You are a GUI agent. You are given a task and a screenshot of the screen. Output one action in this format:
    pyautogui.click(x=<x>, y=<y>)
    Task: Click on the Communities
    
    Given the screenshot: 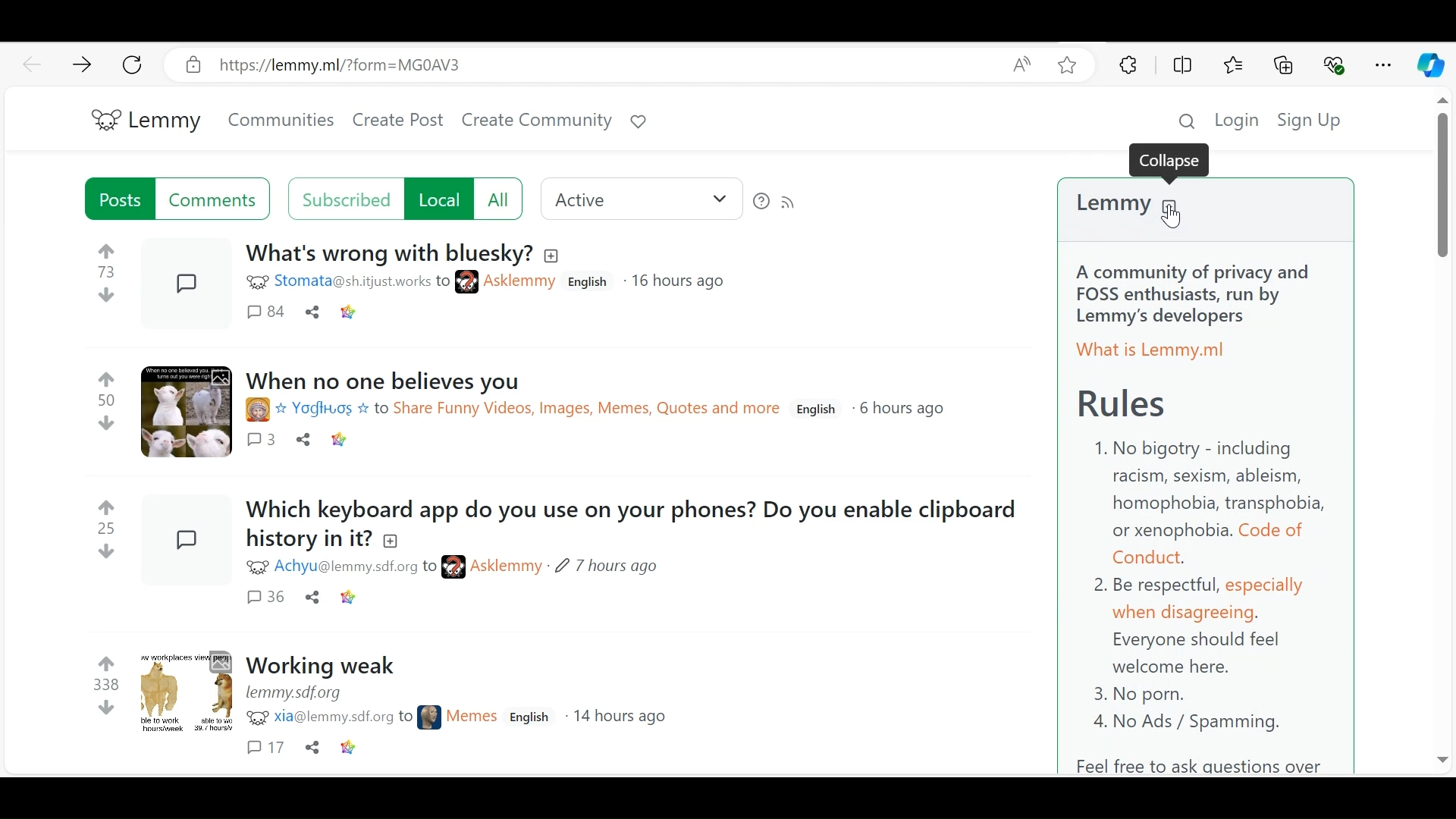 What is the action you would take?
    pyautogui.click(x=281, y=121)
    